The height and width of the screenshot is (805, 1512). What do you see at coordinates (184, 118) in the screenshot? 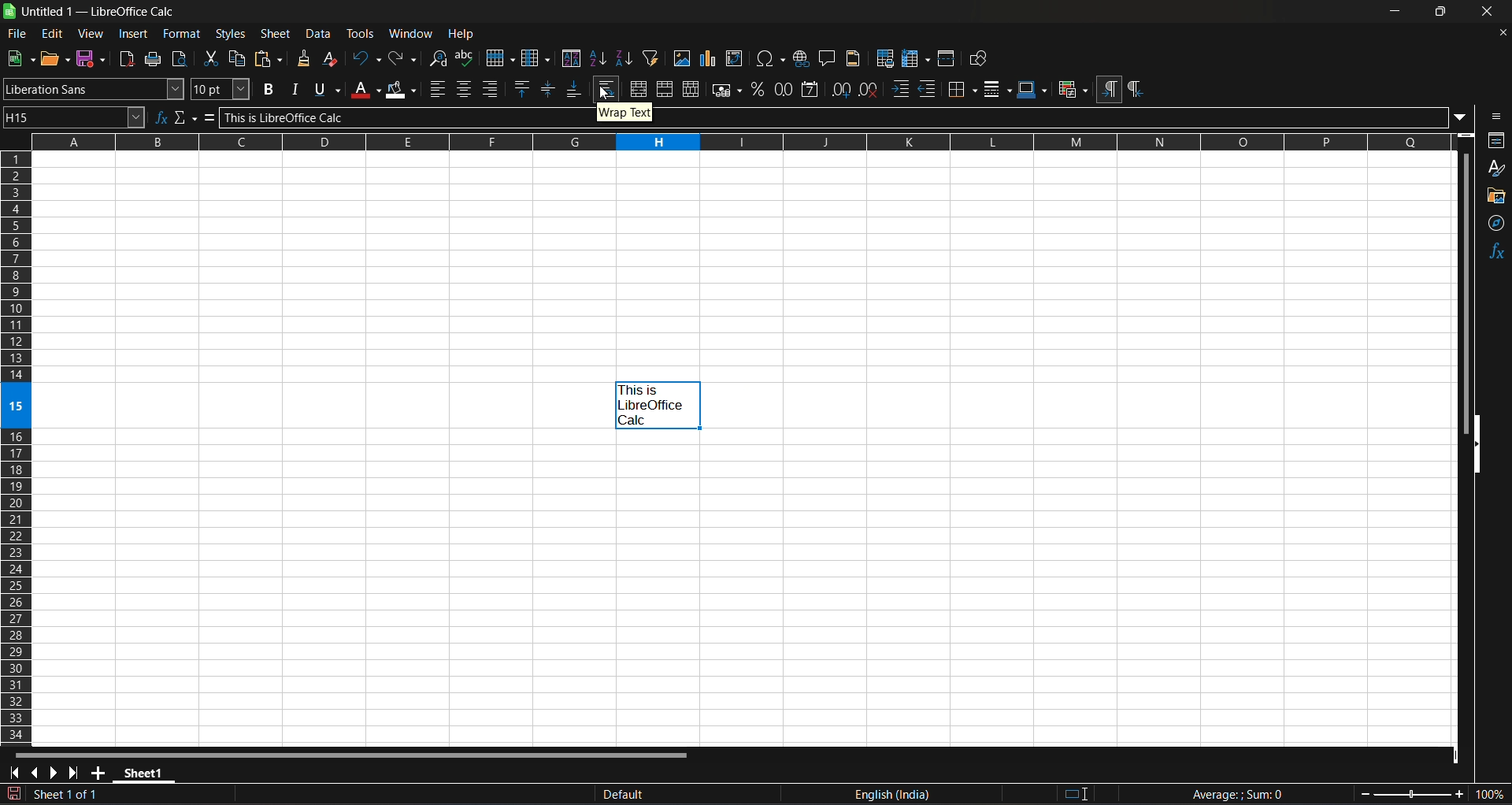
I see `select function` at bounding box center [184, 118].